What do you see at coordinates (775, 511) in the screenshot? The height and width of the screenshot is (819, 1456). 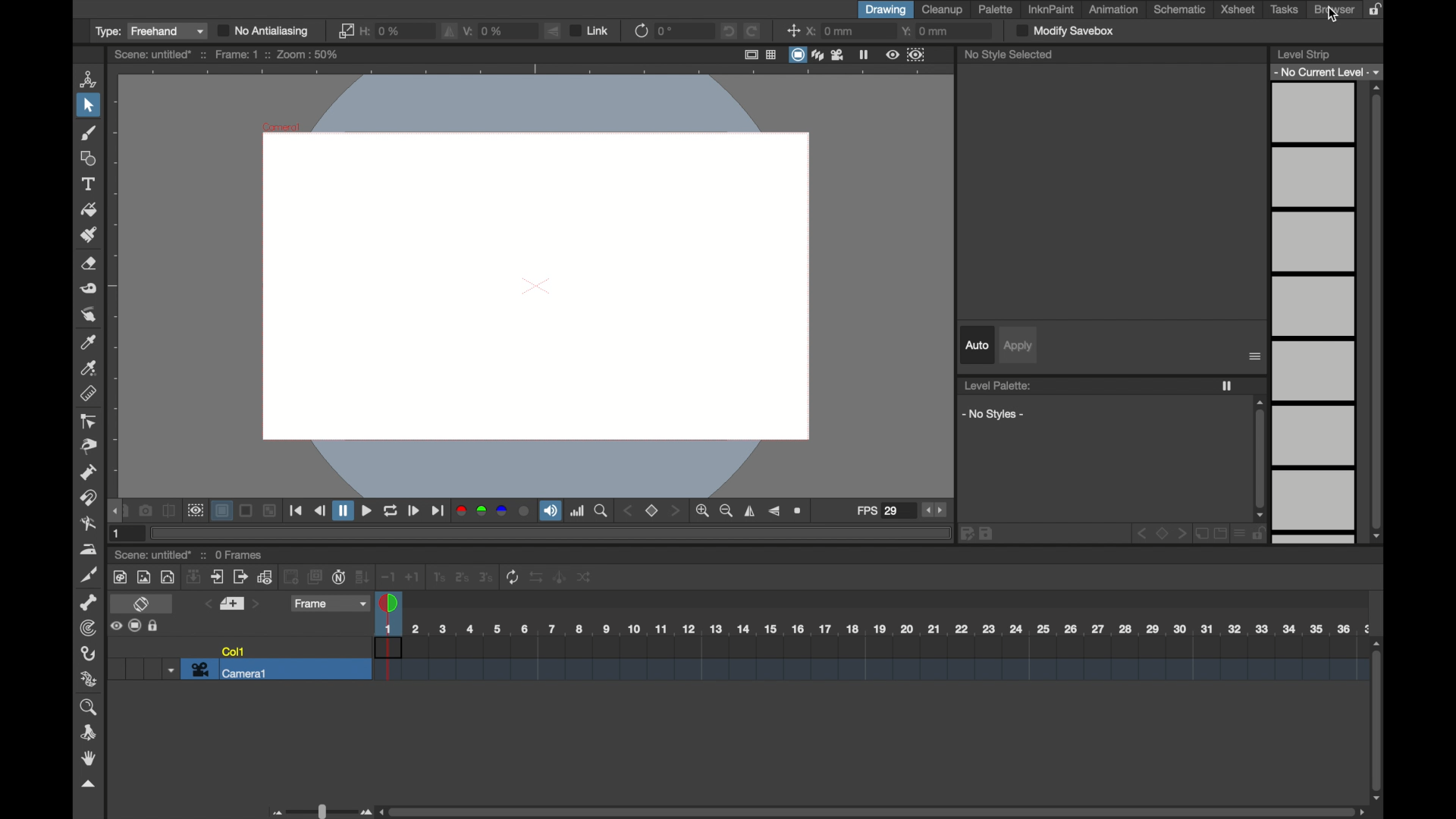 I see `flip vertically` at bounding box center [775, 511].